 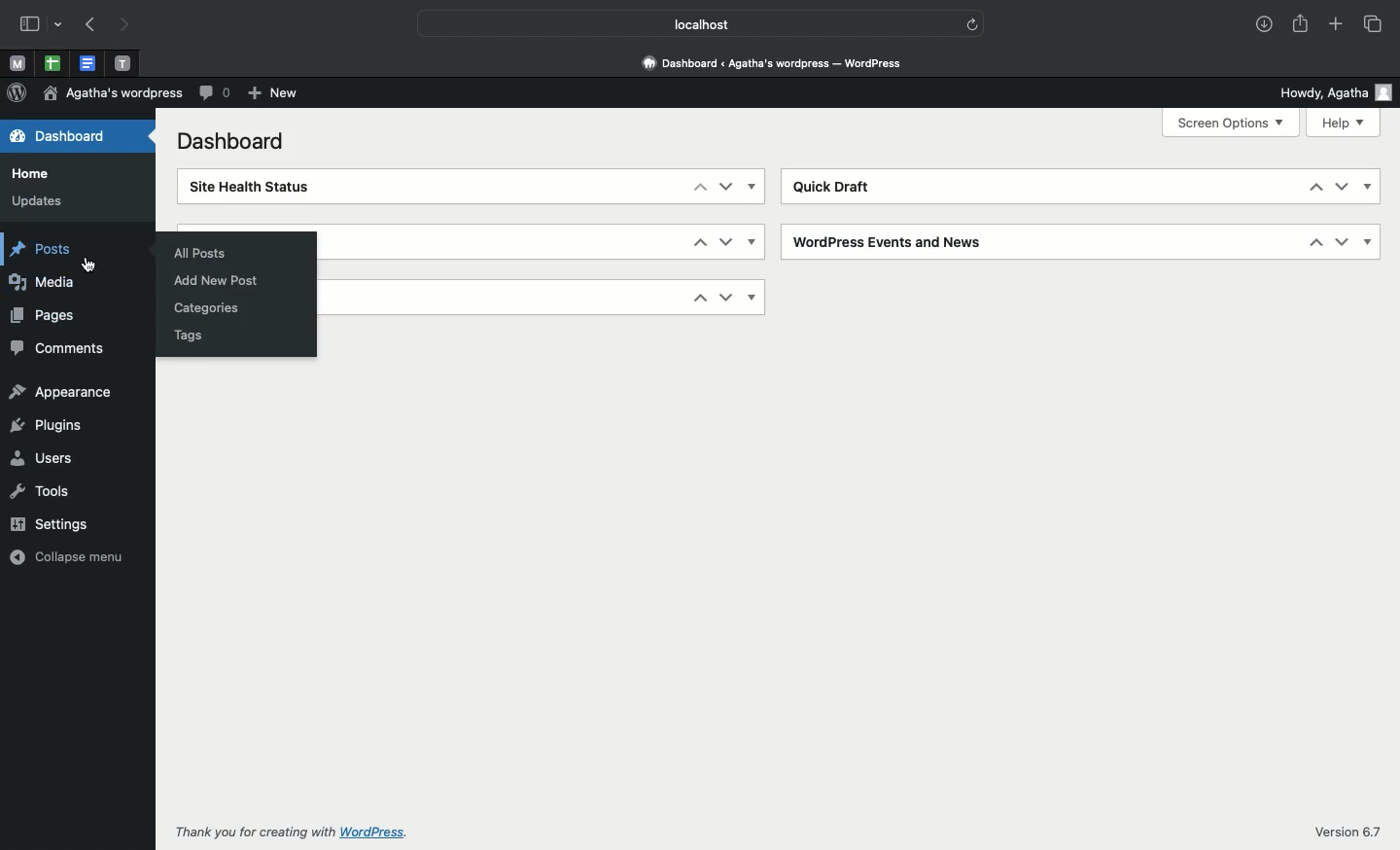 What do you see at coordinates (51, 523) in the screenshot?
I see `Settings` at bounding box center [51, 523].